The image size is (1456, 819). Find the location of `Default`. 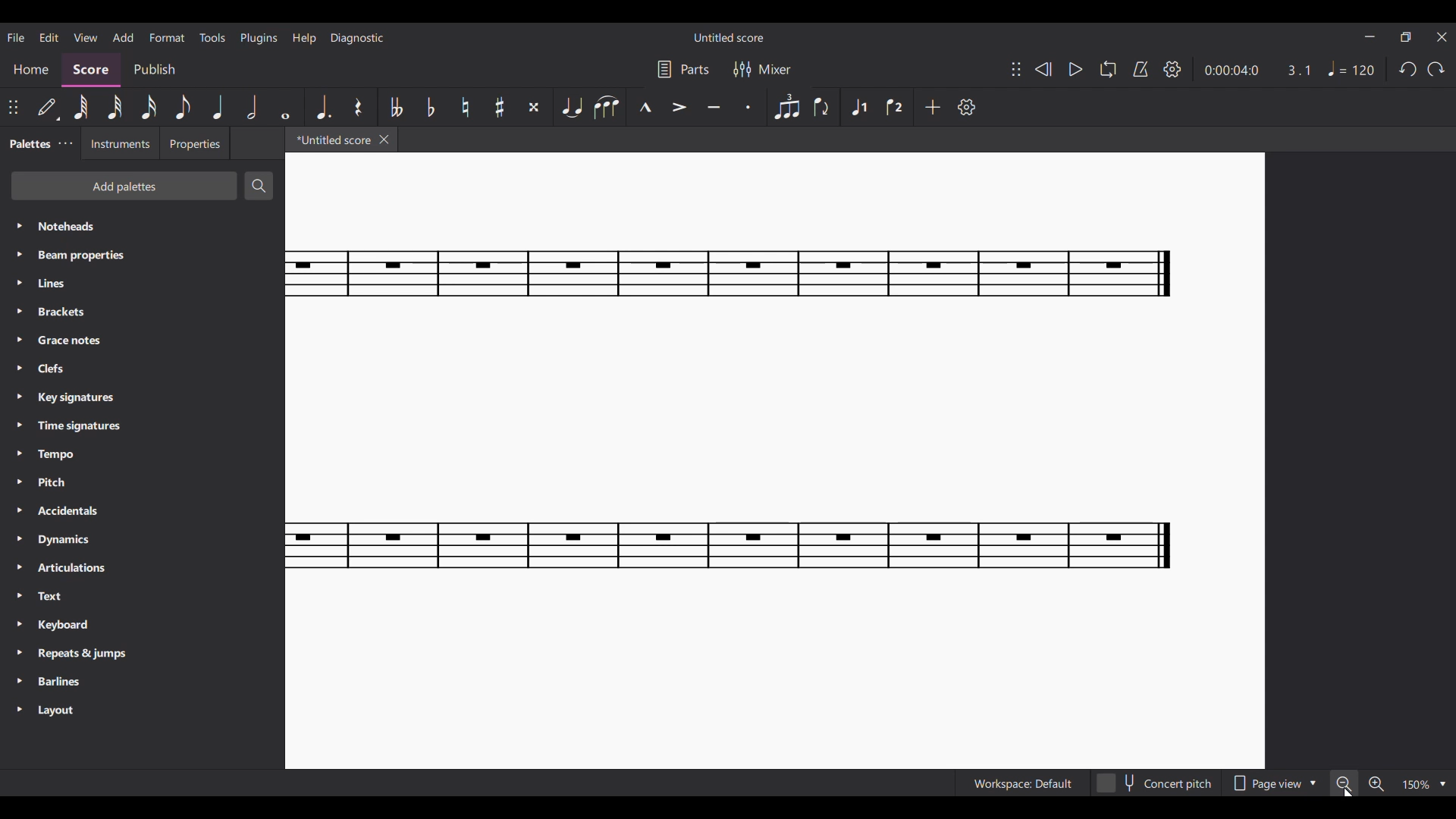

Default is located at coordinates (48, 107).